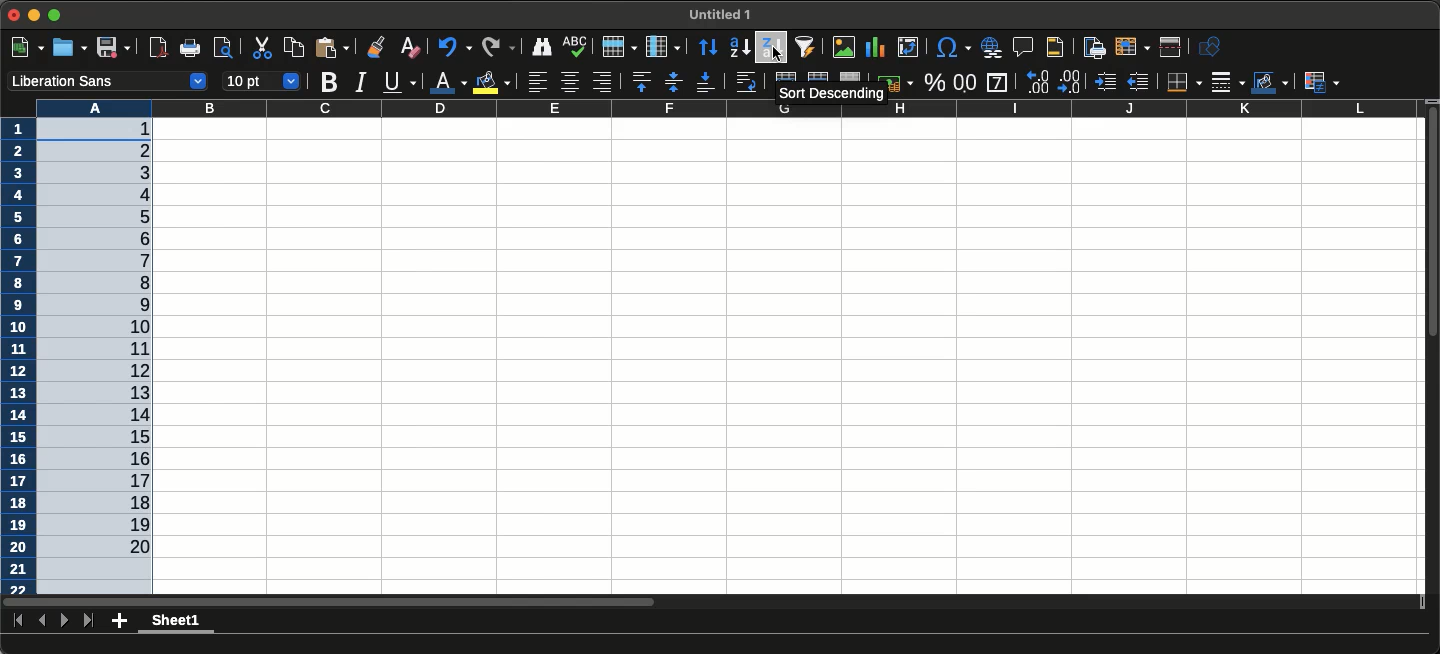 The height and width of the screenshot is (654, 1440). I want to click on Decrease, so click(1142, 83).